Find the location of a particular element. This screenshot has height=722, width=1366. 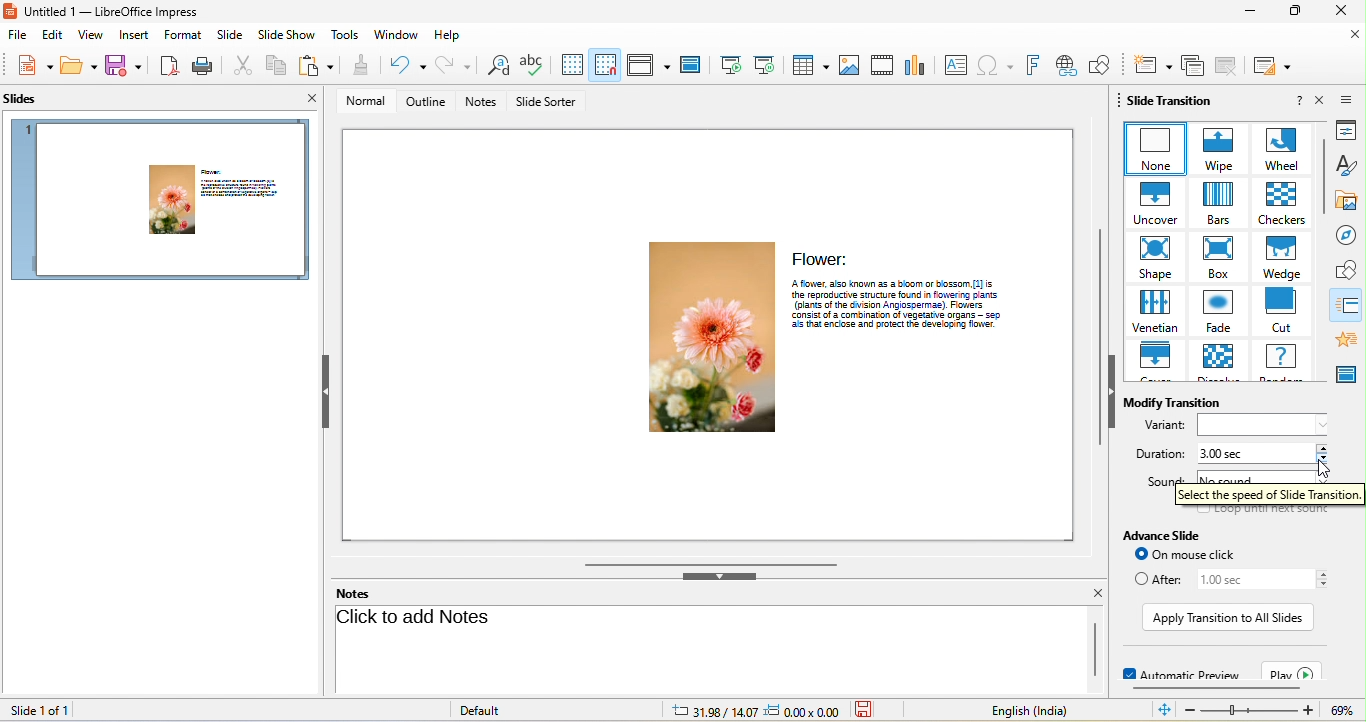

properties is located at coordinates (1351, 130).